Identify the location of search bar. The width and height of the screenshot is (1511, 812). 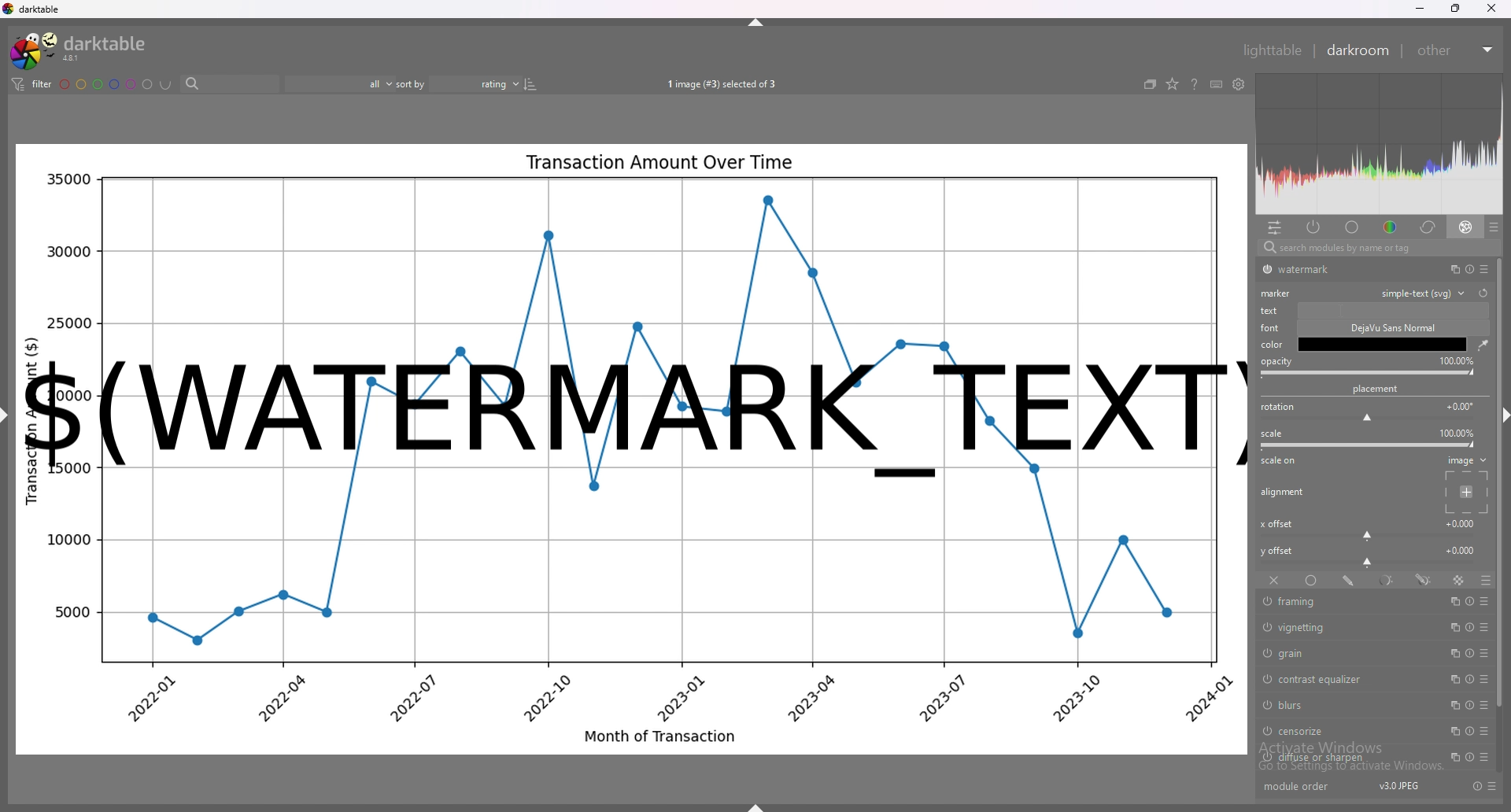
(1374, 249).